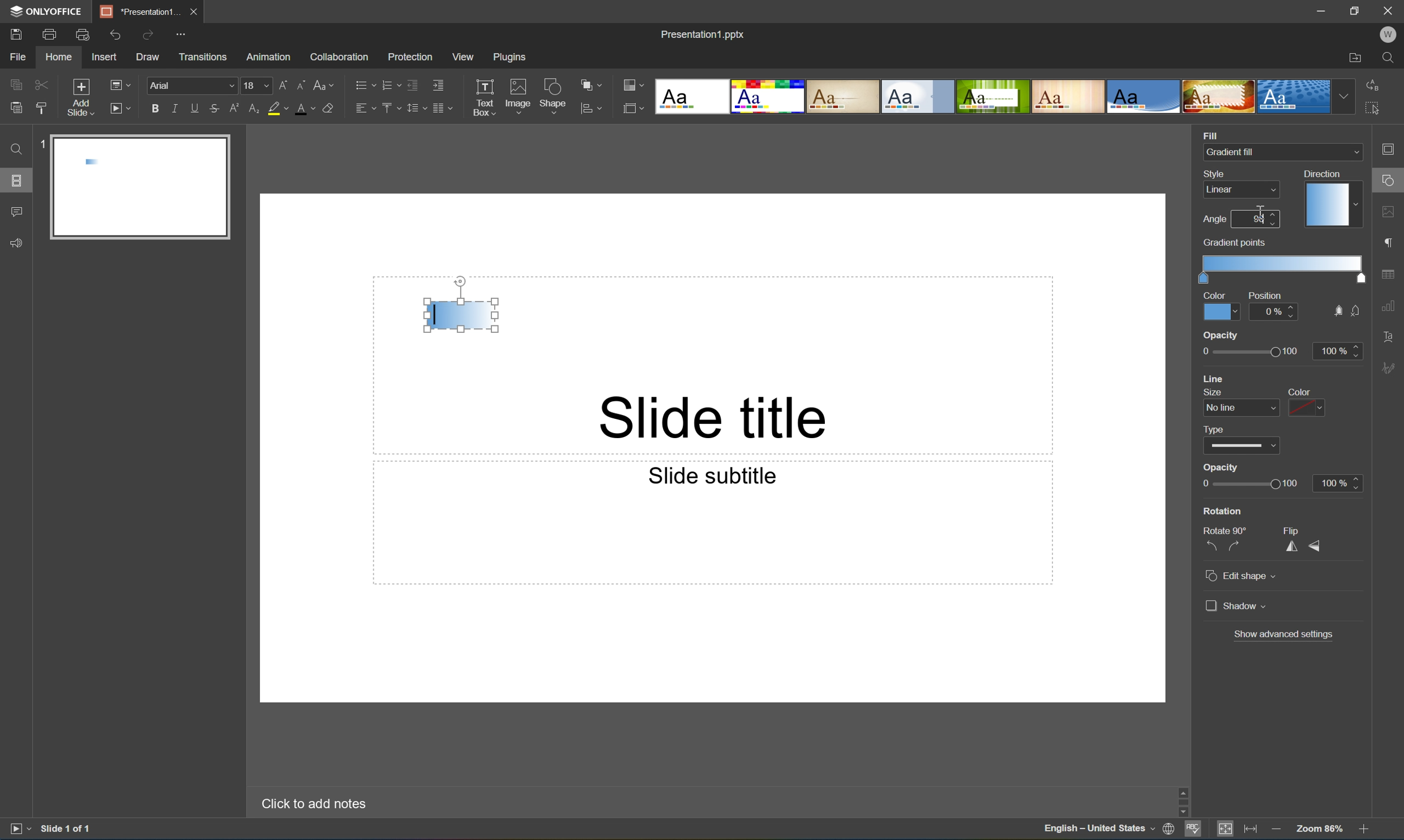 The height and width of the screenshot is (840, 1404). What do you see at coordinates (1193, 830) in the screenshot?
I see `Spell checking` at bounding box center [1193, 830].